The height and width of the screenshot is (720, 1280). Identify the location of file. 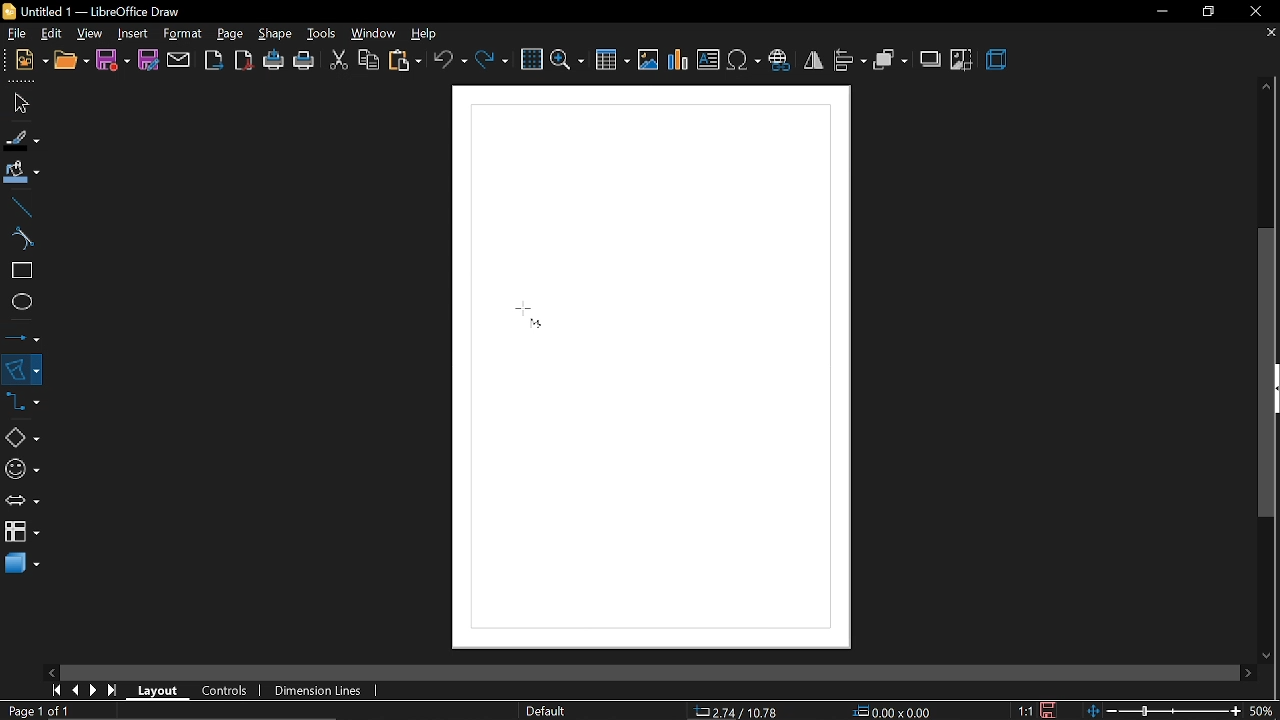
(17, 34).